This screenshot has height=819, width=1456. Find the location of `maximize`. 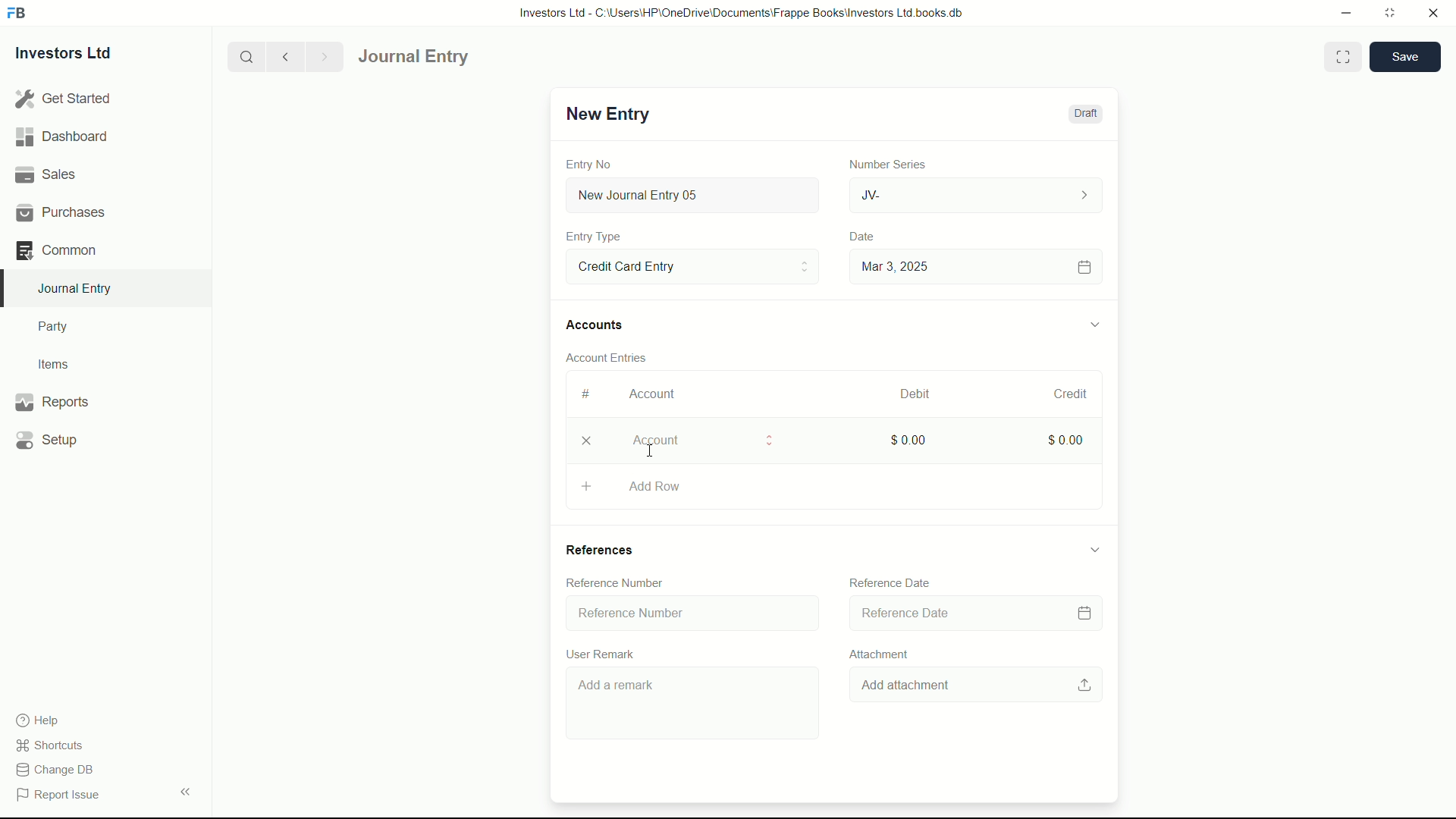

maximize is located at coordinates (1389, 11).